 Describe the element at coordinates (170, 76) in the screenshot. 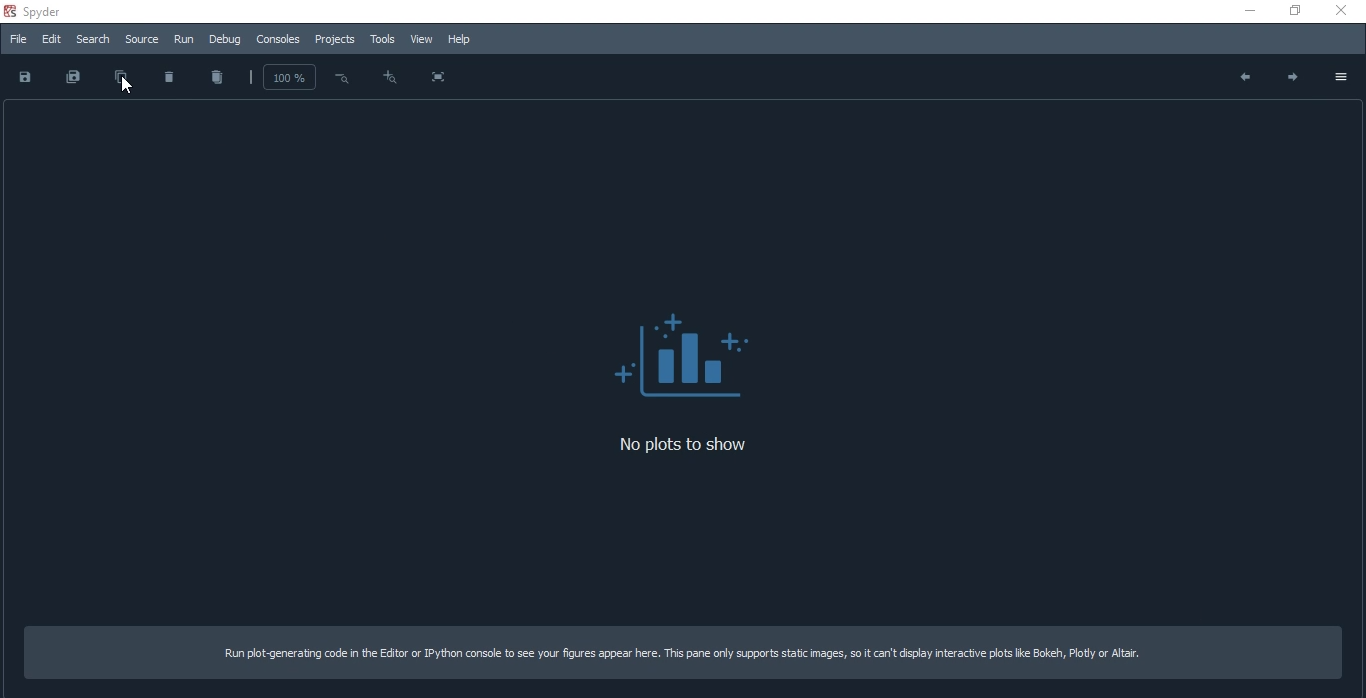

I see `delete` at that location.